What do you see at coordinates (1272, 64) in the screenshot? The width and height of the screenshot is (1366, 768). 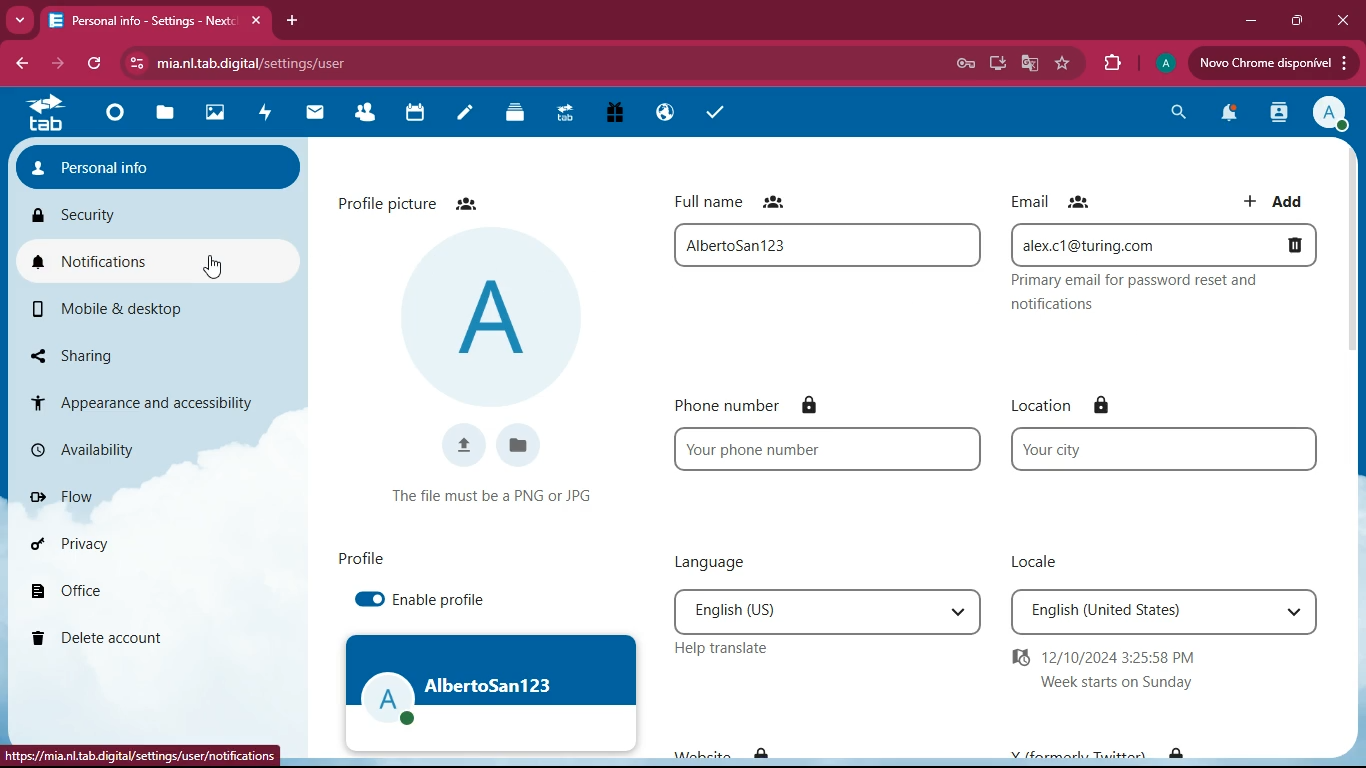 I see `update` at bounding box center [1272, 64].